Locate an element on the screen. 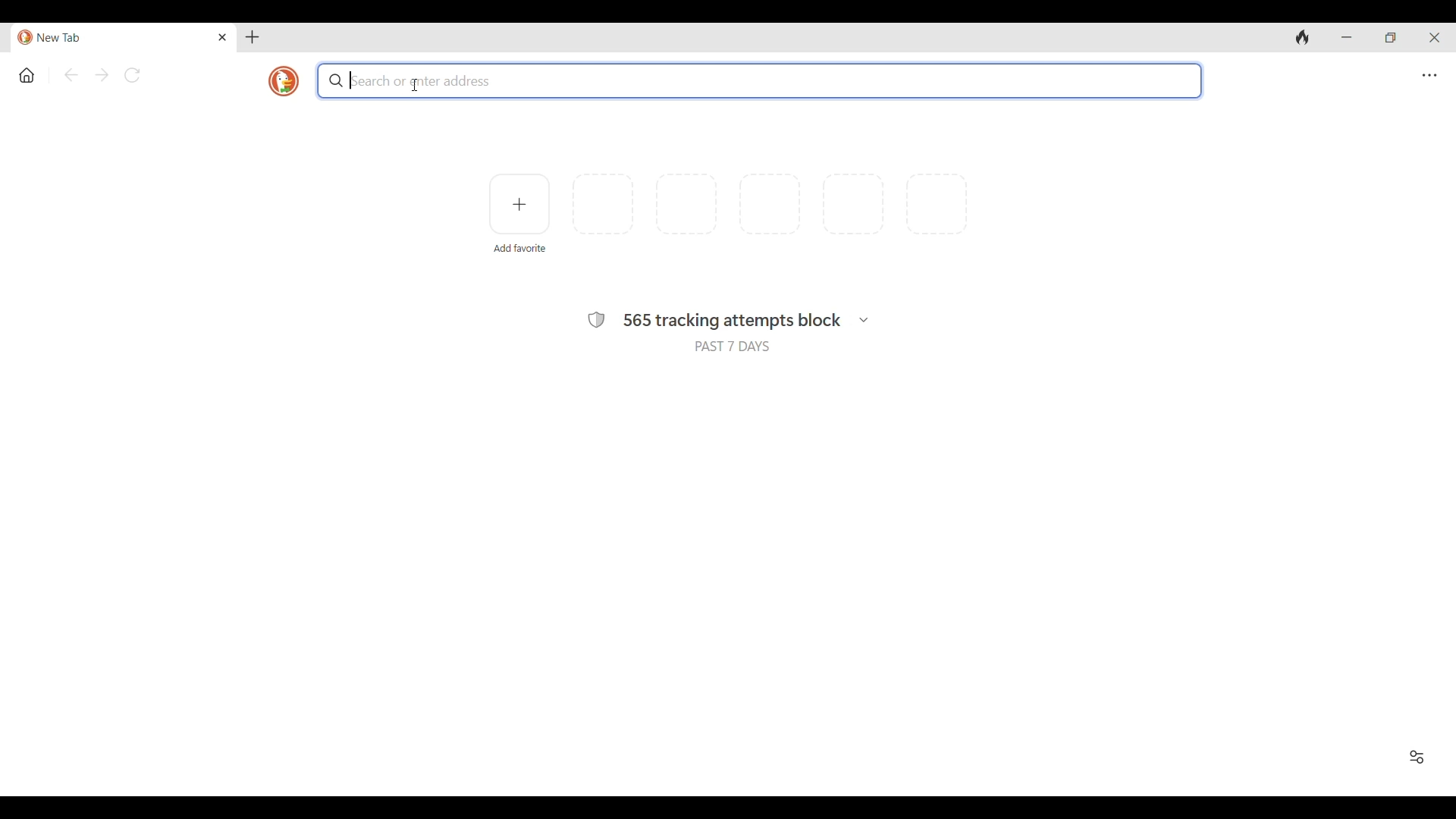  Clear browsing history is located at coordinates (1303, 37).